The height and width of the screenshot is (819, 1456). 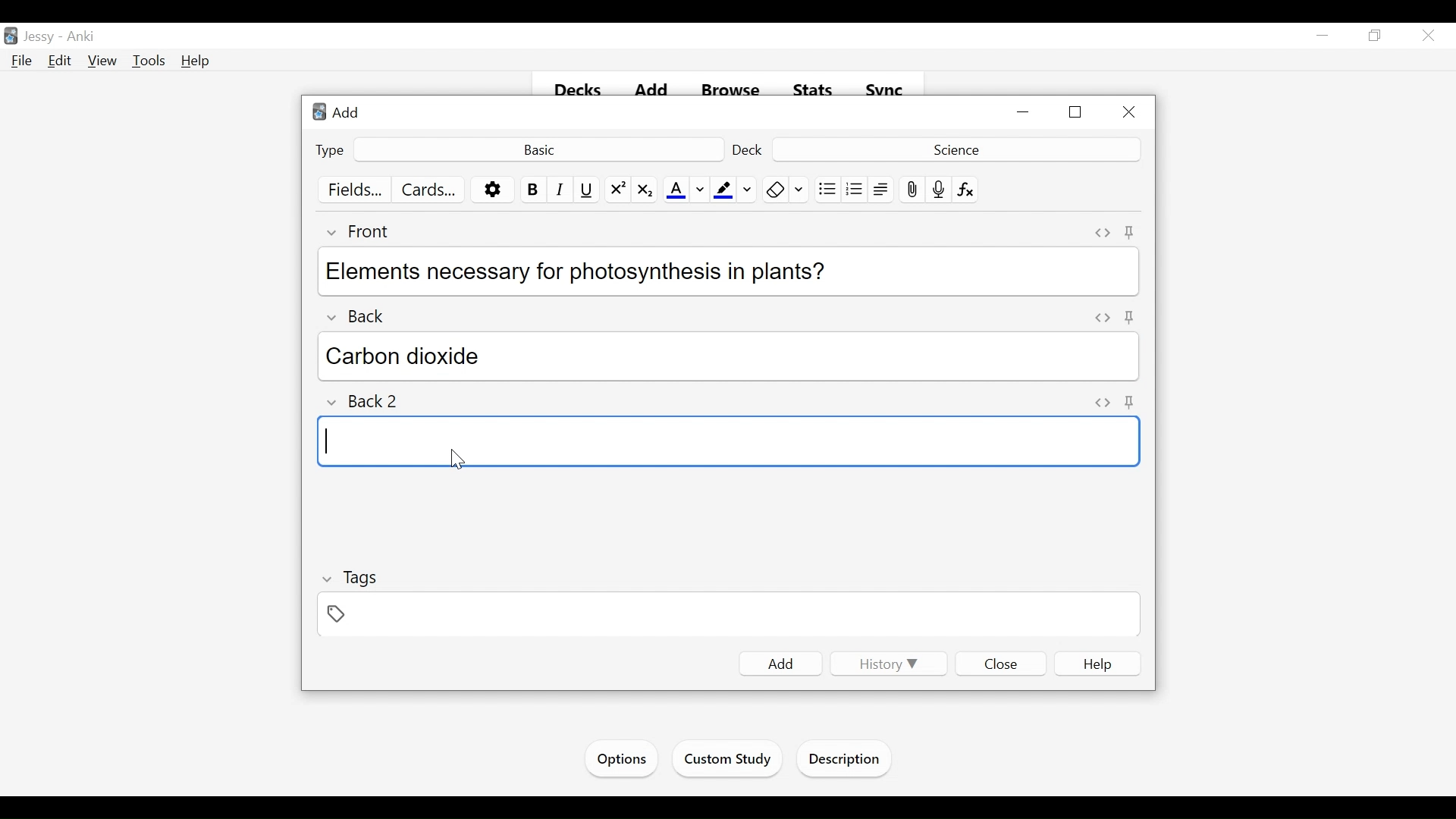 What do you see at coordinates (730, 616) in the screenshot?
I see `Tags Field` at bounding box center [730, 616].